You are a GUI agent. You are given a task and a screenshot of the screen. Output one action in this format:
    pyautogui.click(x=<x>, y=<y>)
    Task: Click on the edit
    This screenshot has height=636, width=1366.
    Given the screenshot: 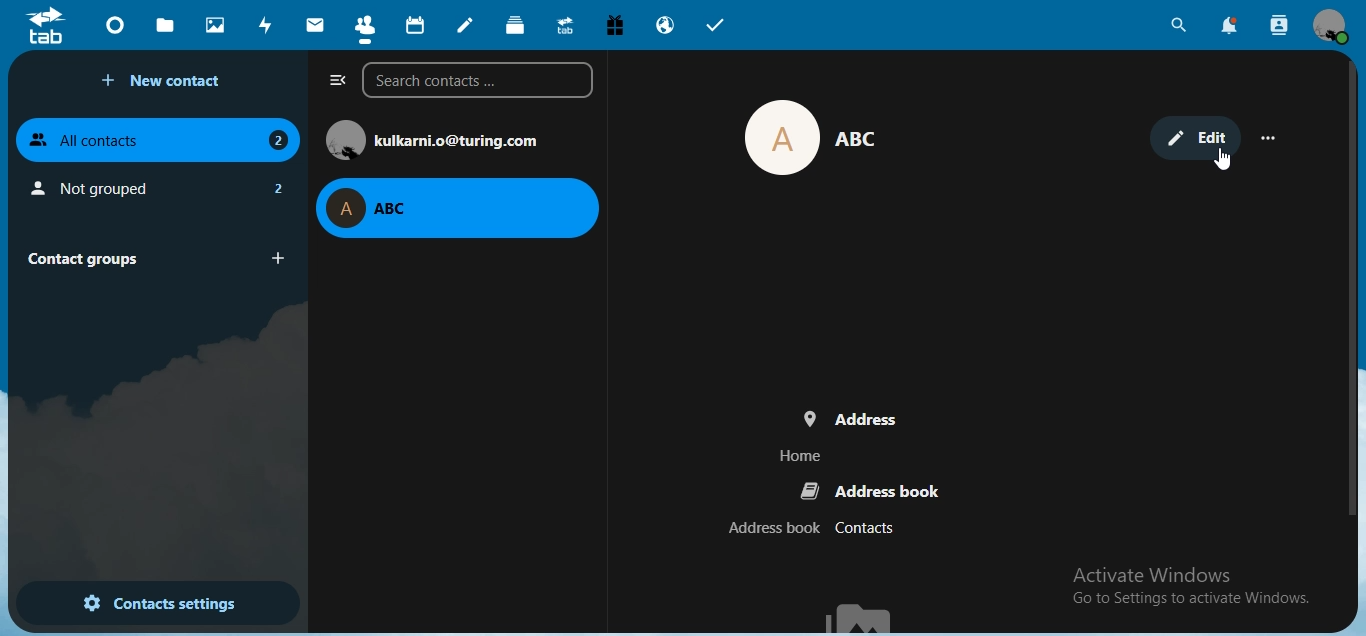 What is the action you would take?
    pyautogui.click(x=1195, y=136)
    